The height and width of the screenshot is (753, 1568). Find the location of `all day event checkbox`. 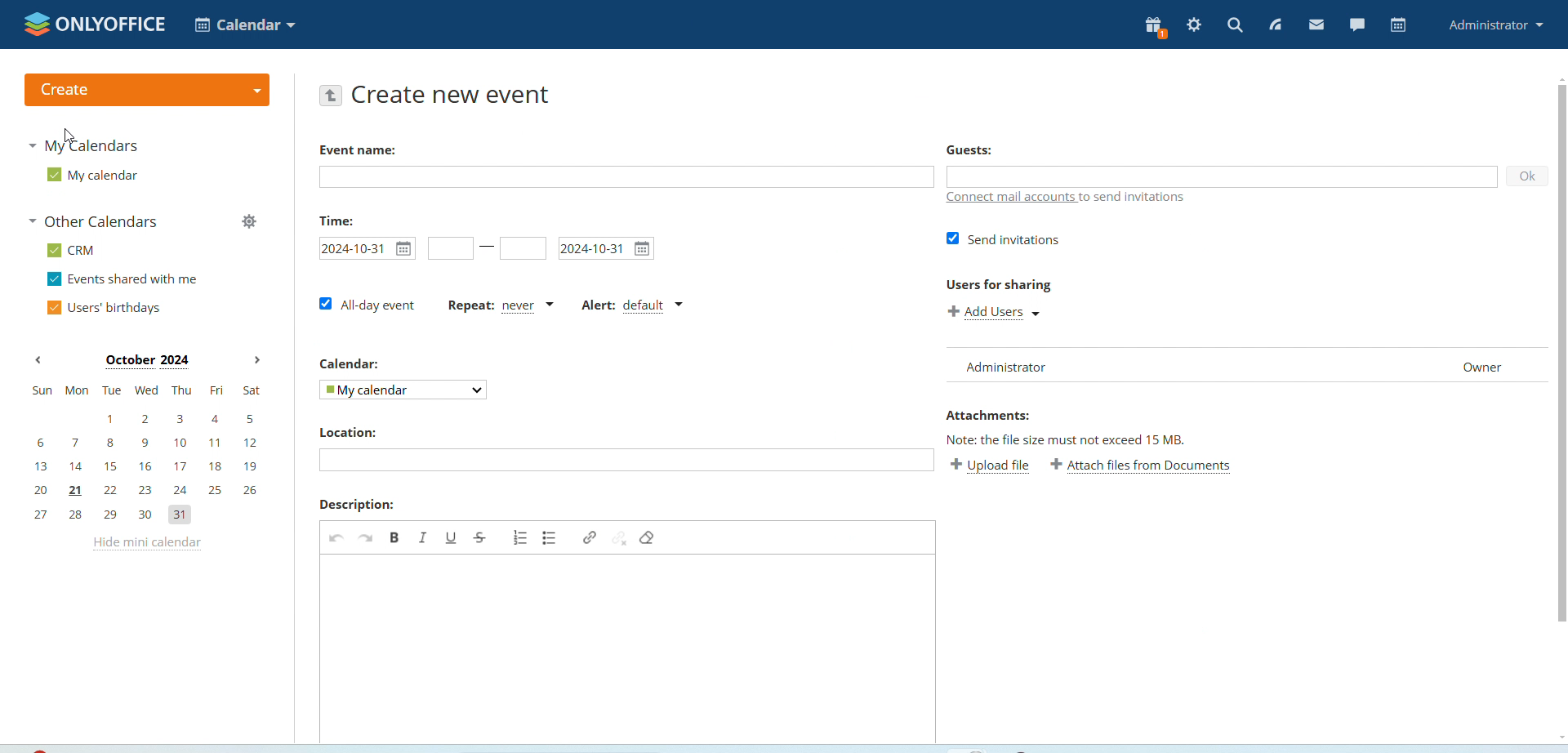

all day event checkbox is located at coordinates (365, 305).